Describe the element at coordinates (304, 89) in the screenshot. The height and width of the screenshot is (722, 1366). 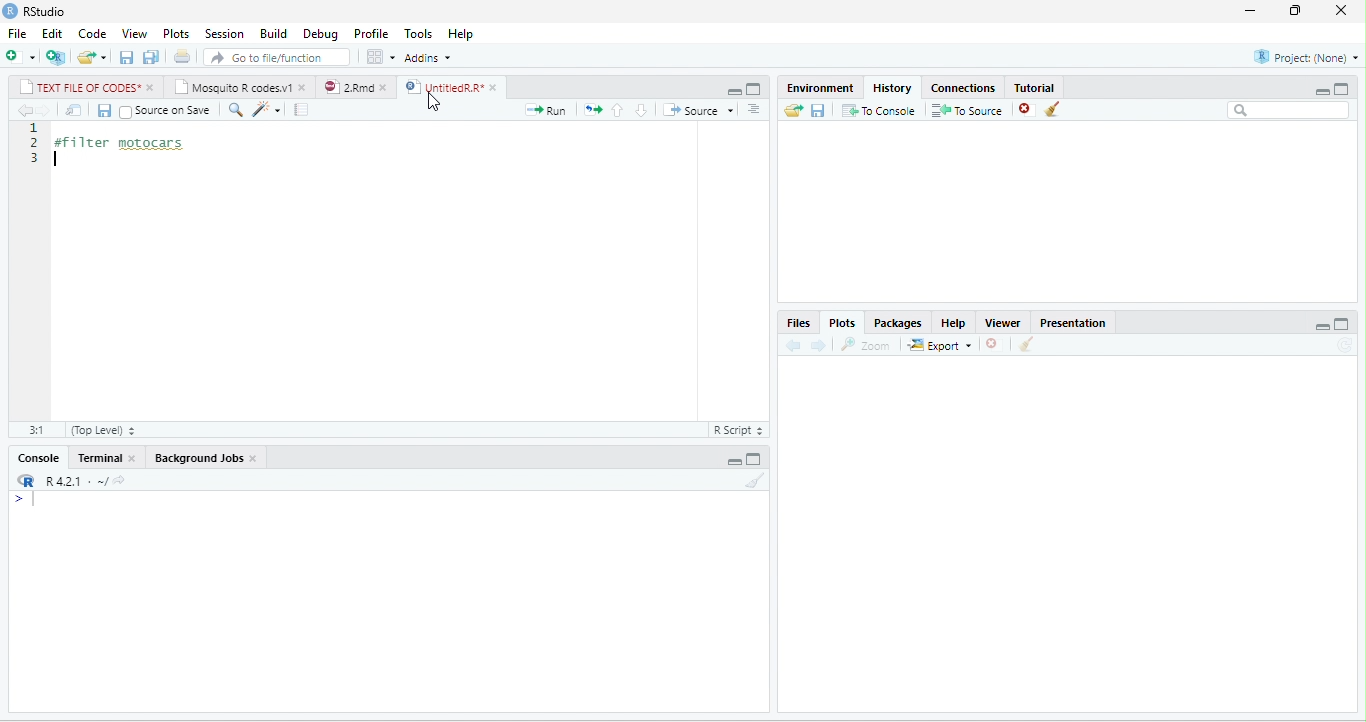
I see `close` at that location.